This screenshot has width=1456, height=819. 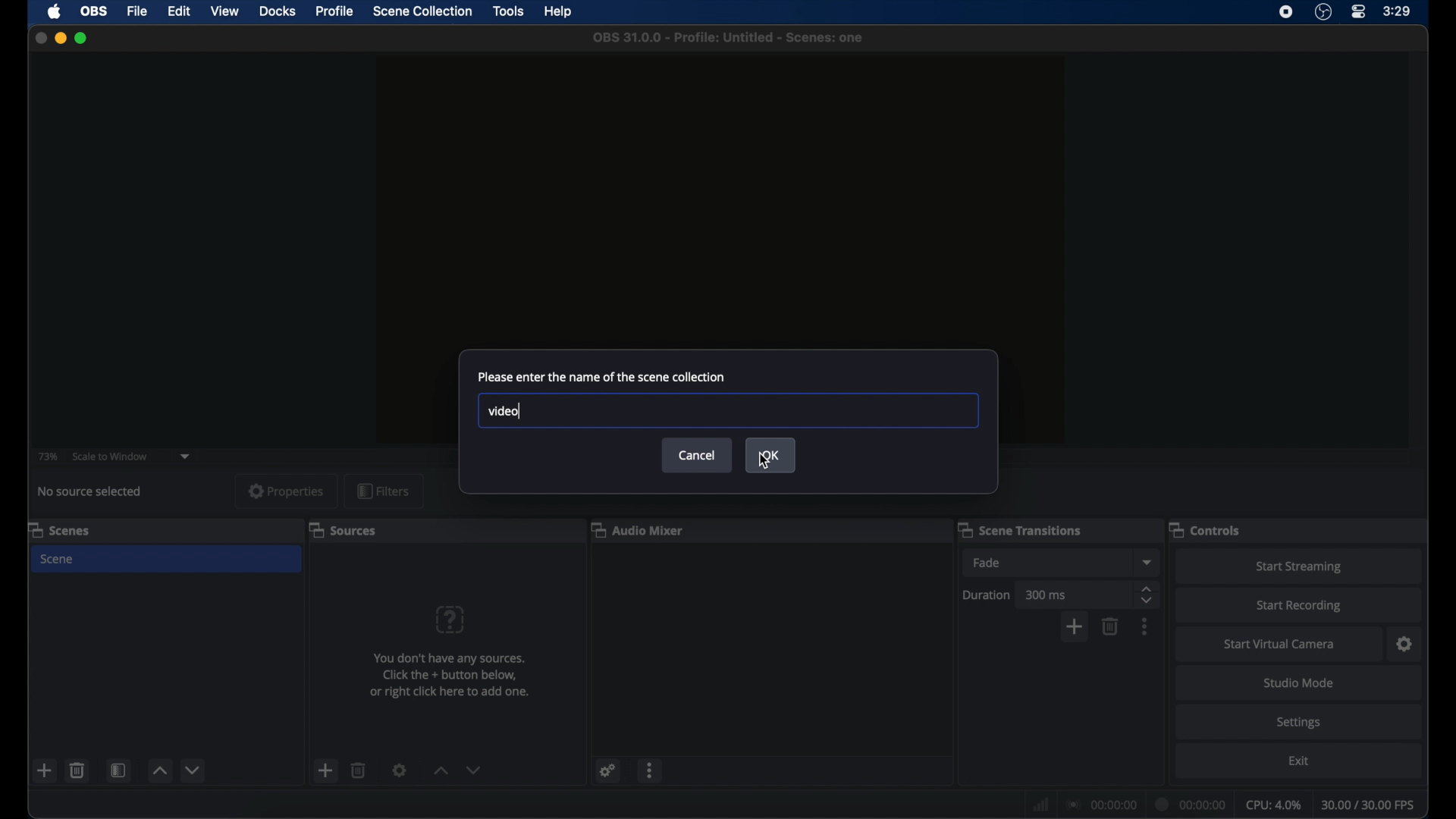 I want to click on edit, so click(x=177, y=11).